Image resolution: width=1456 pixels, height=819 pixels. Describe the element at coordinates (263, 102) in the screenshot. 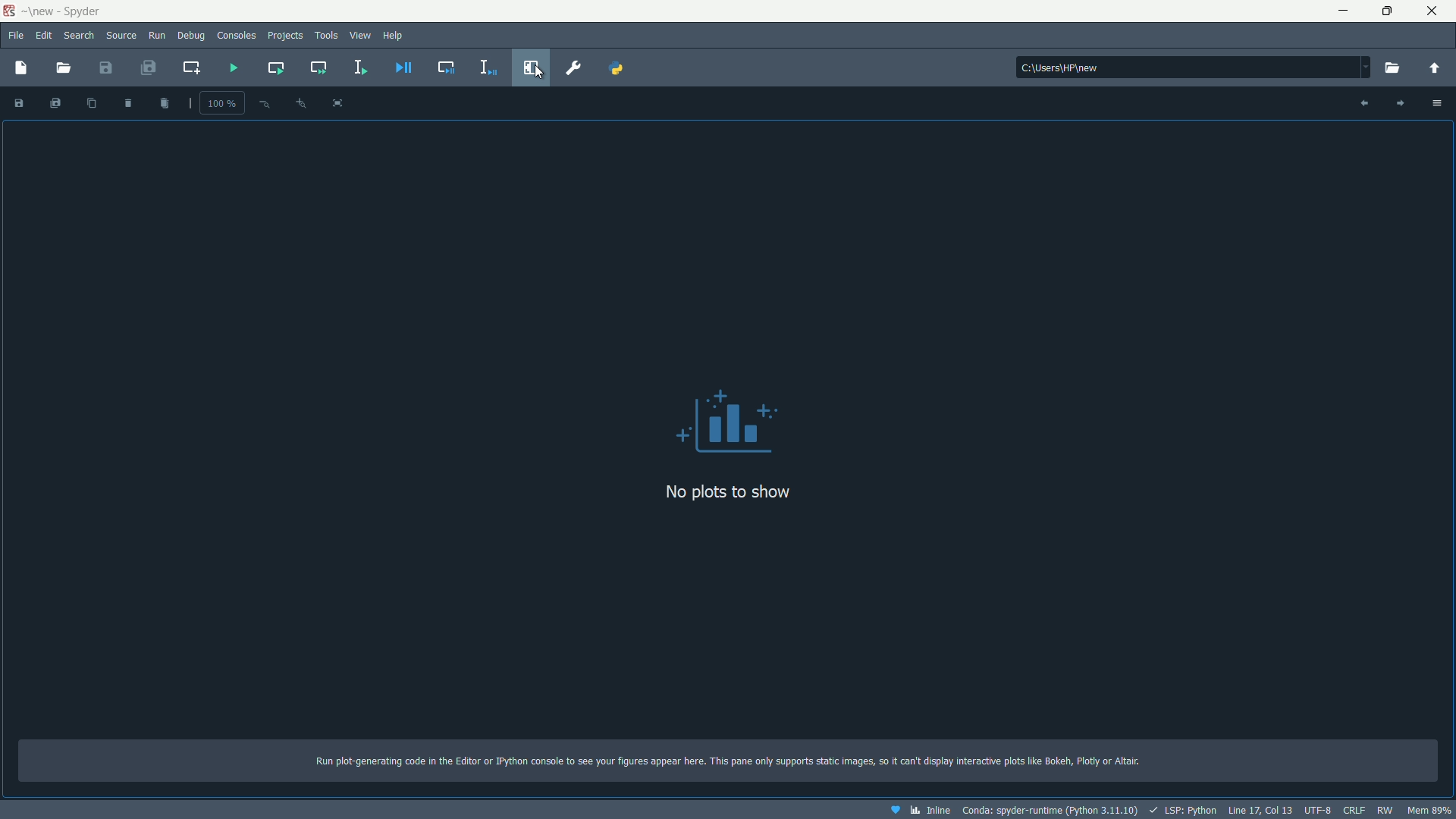

I see `zoom out` at that location.